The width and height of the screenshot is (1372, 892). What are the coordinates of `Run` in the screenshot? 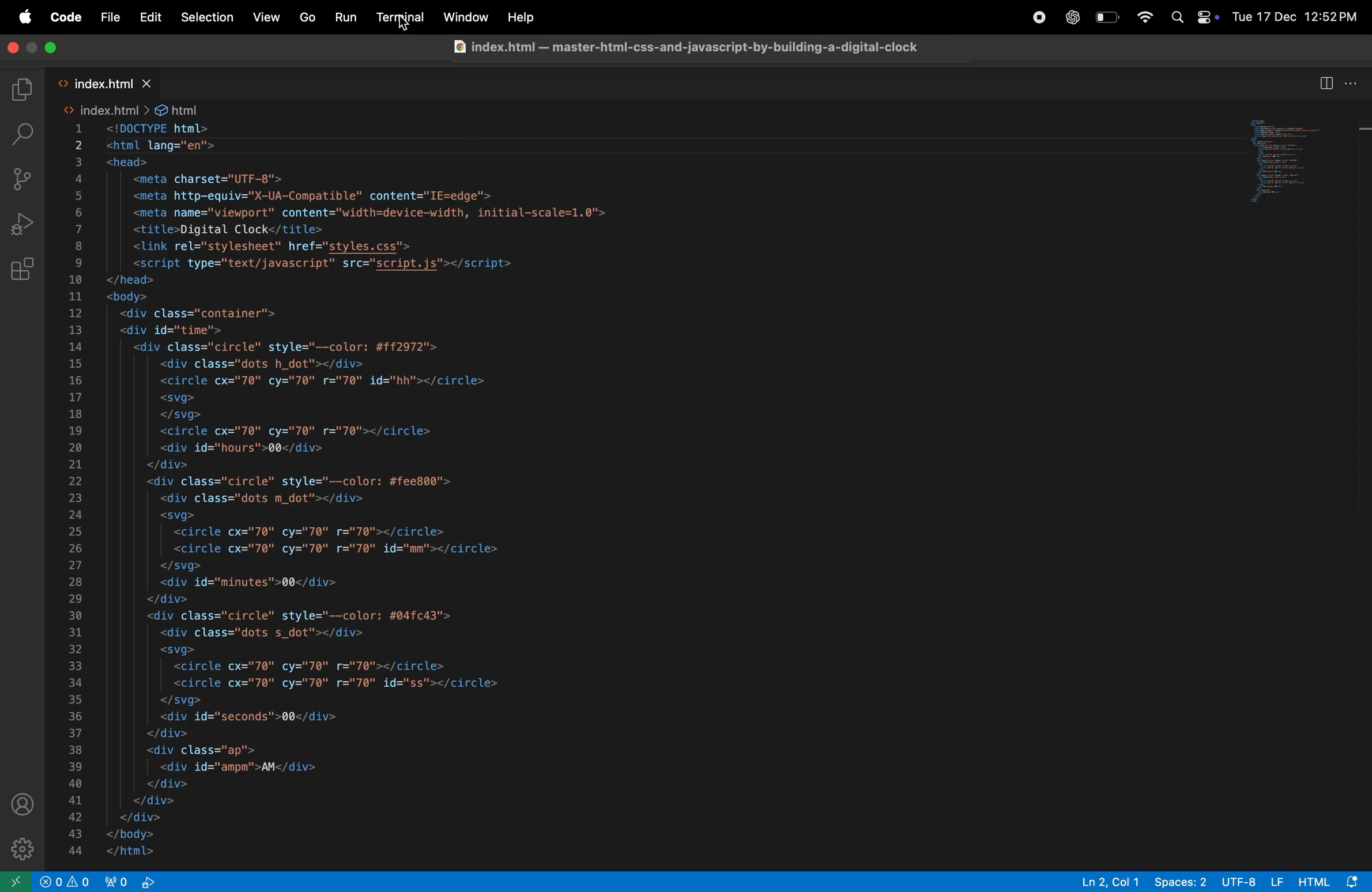 It's located at (346, 17).